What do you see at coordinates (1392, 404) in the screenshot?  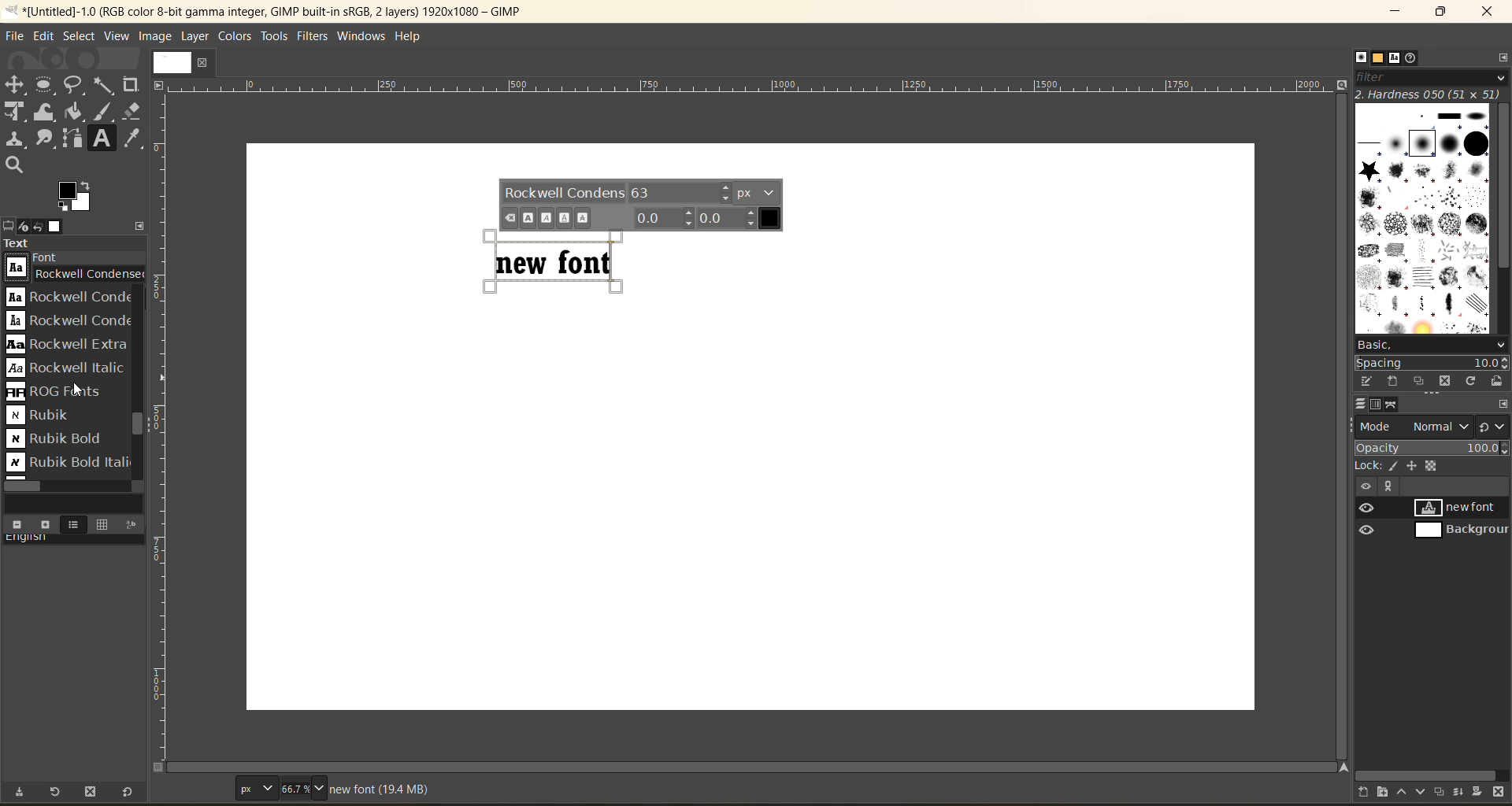 I see `paths` at bounding box center [1392, 404].